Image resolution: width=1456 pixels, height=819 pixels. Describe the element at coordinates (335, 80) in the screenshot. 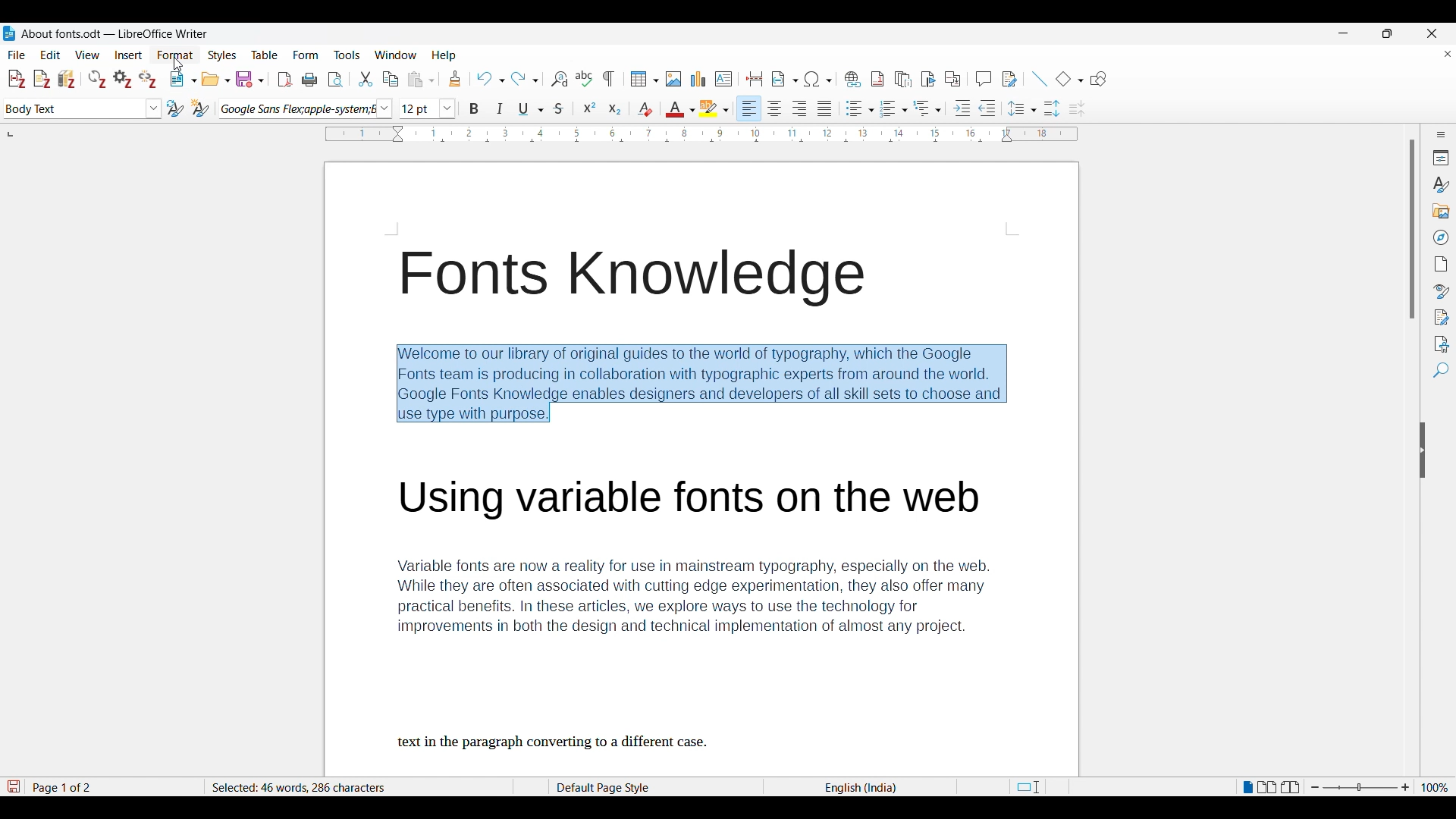

I see `Toggle print preview` at that location.